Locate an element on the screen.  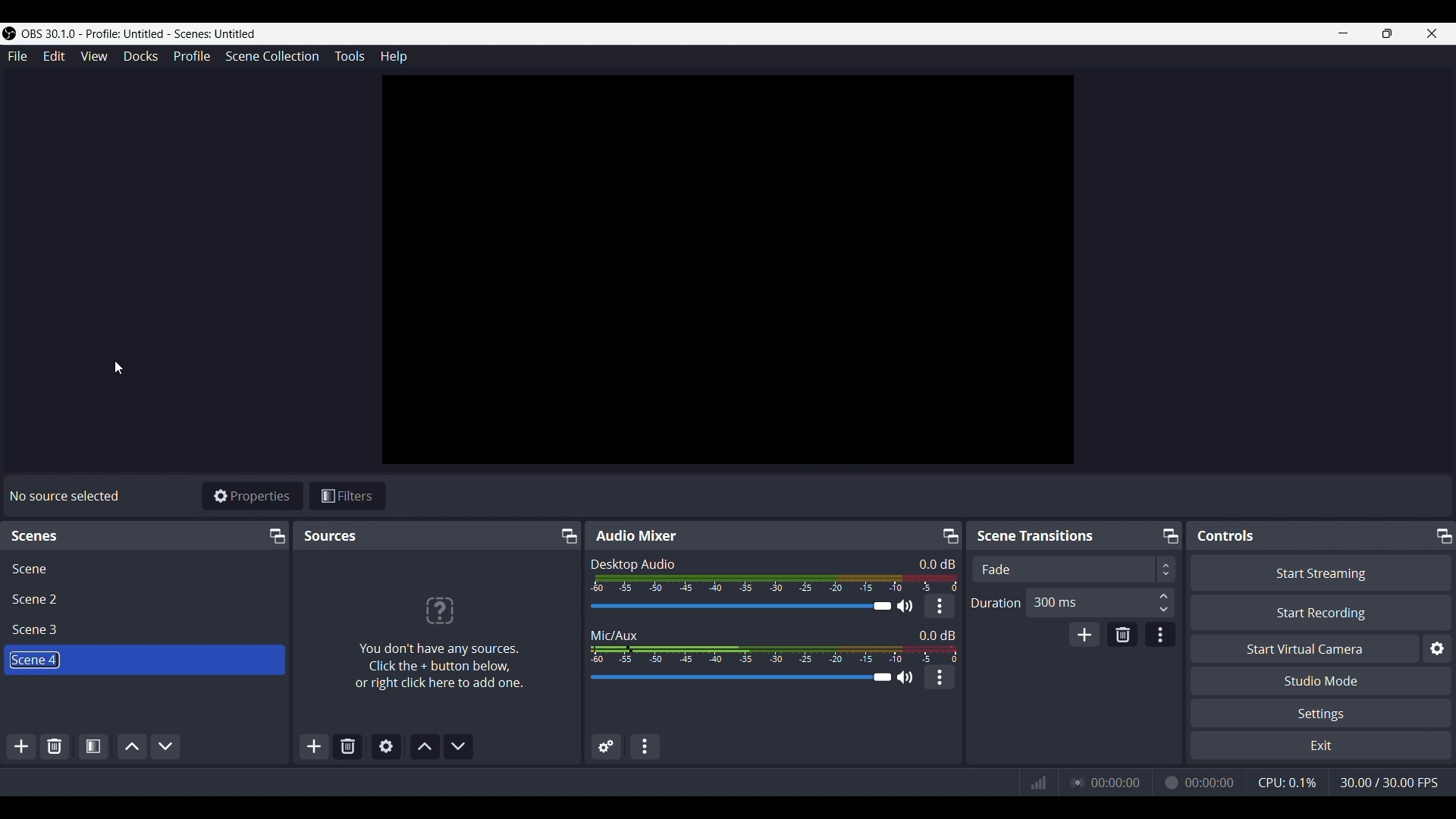
Audio Mixer is located at coordinates (635, 535).